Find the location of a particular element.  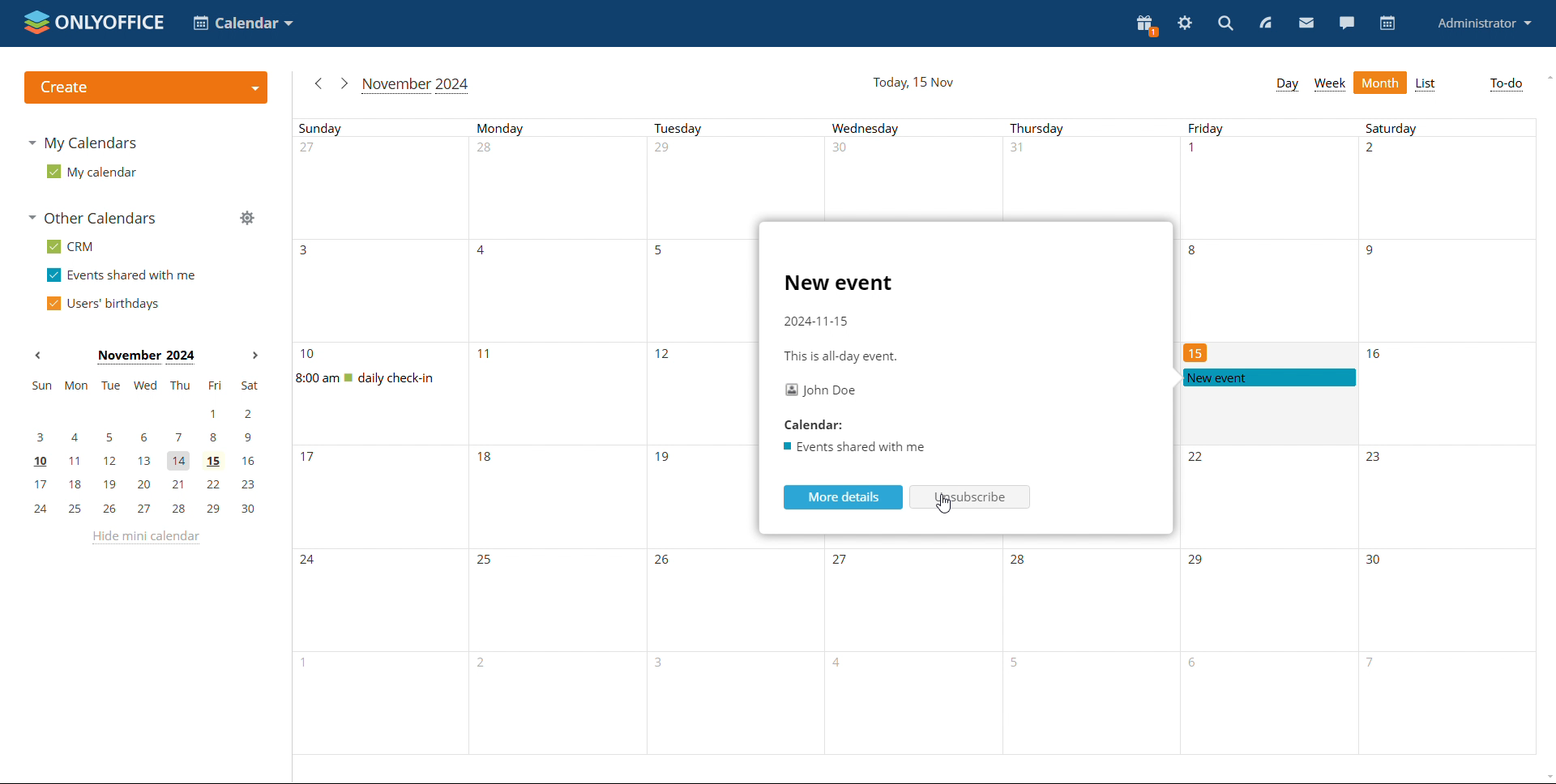

Number is located at coordinates (488, 151).